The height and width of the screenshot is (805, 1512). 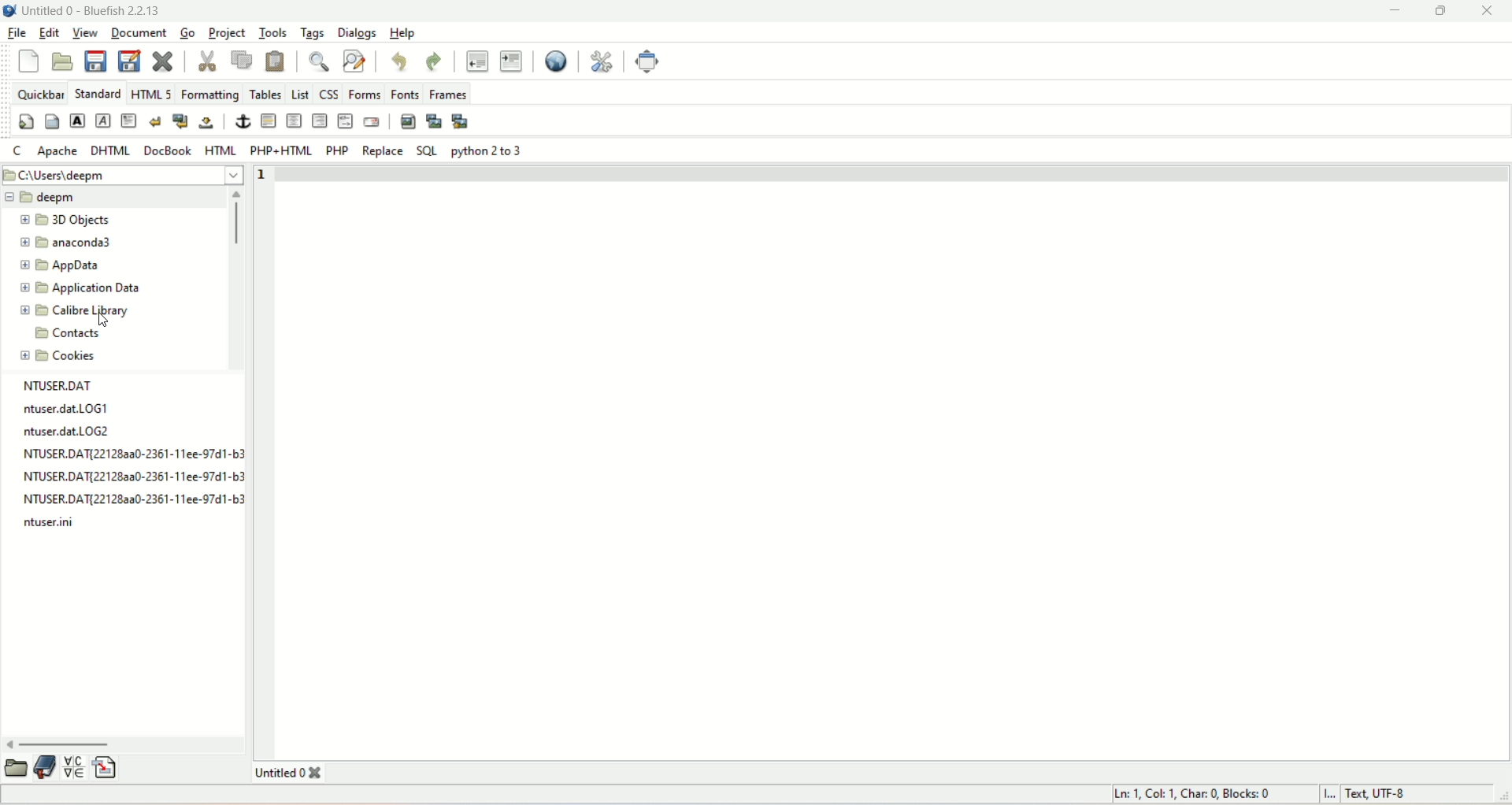 I want to click on horizontal rule, so click(x=270, y=121).